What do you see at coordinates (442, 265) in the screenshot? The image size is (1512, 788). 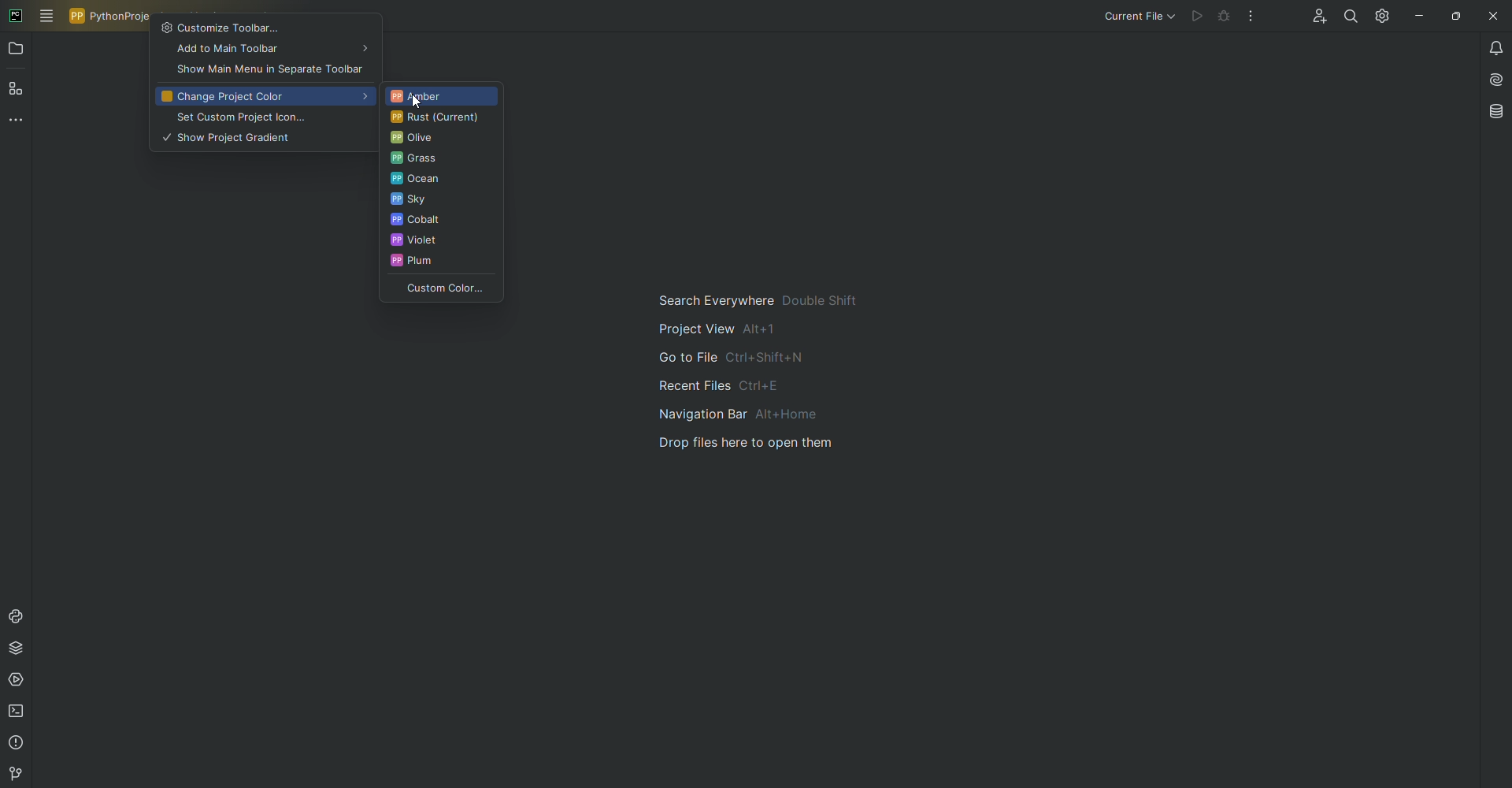 I see `Plum` at bounding box center [442, 265].